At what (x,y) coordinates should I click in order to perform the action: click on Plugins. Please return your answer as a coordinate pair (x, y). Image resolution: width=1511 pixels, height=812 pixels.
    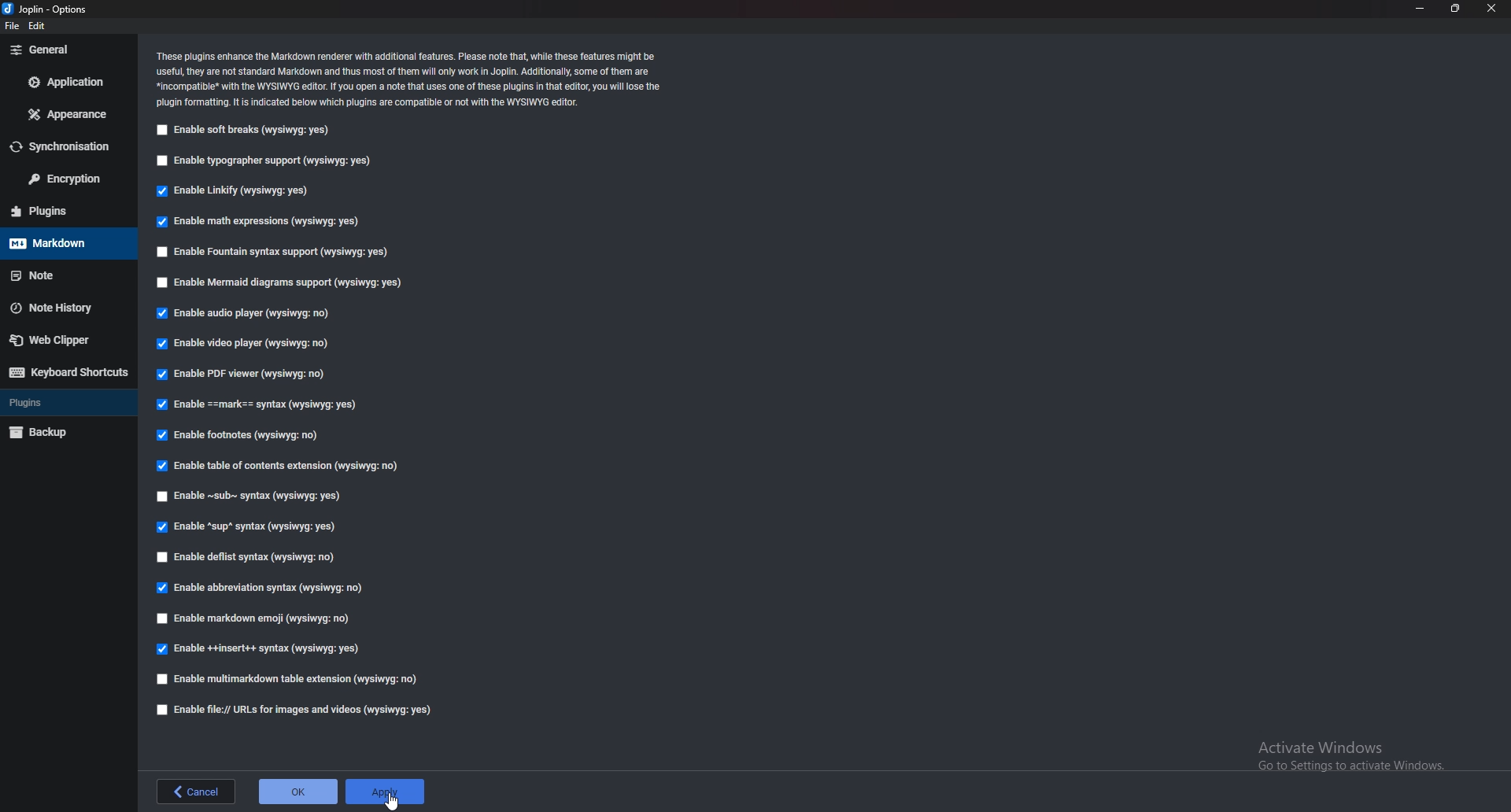
    Looking at the image, I should click on (60, 212).